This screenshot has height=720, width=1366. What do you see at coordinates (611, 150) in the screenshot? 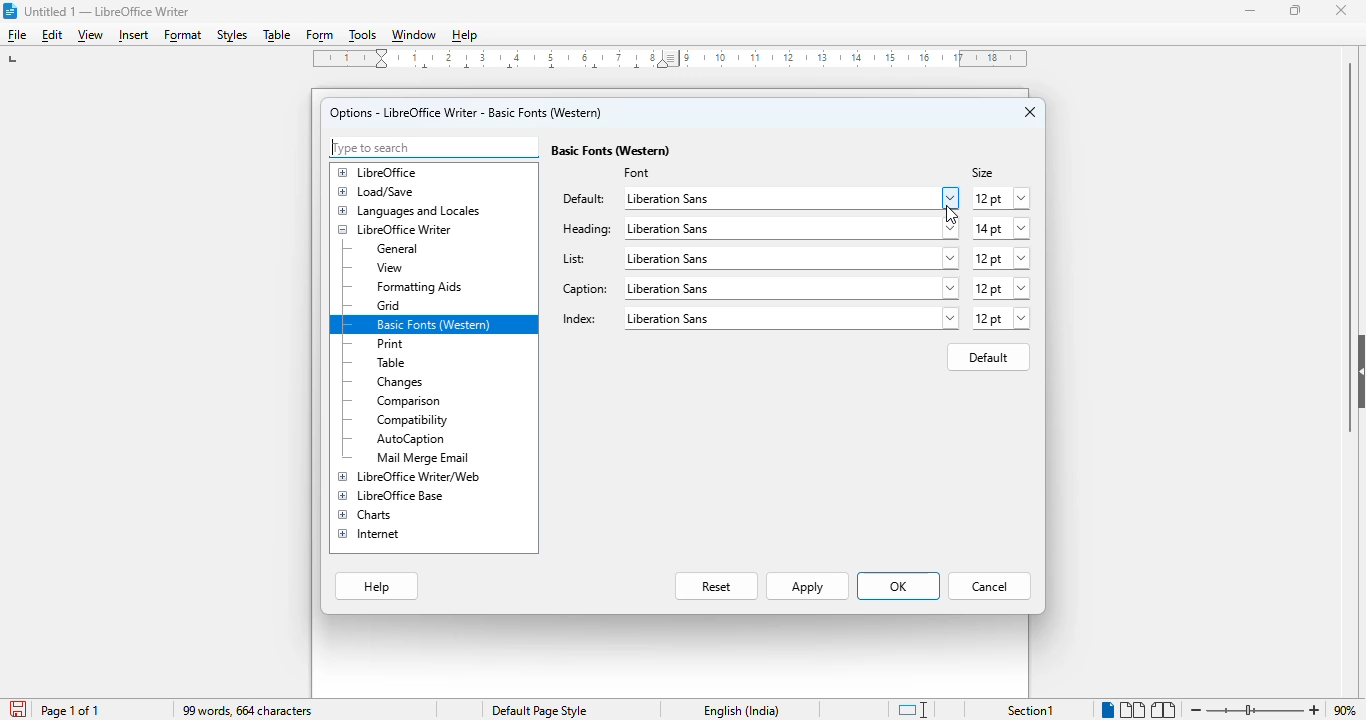
I see `basic fonts (Western)` at bounding box center [611, 150].